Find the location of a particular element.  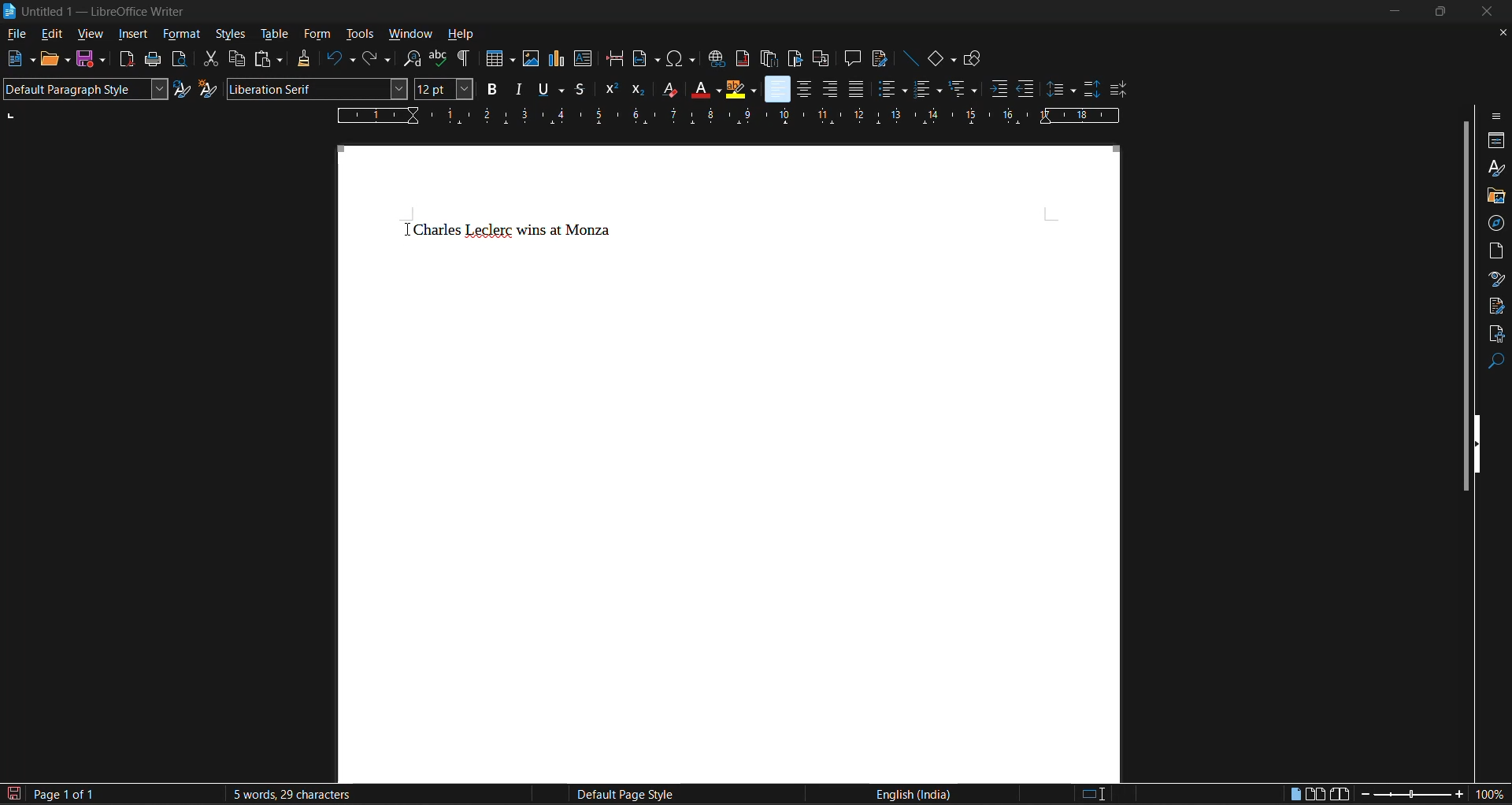

zoom slider is located at coordinates (1410, 796).